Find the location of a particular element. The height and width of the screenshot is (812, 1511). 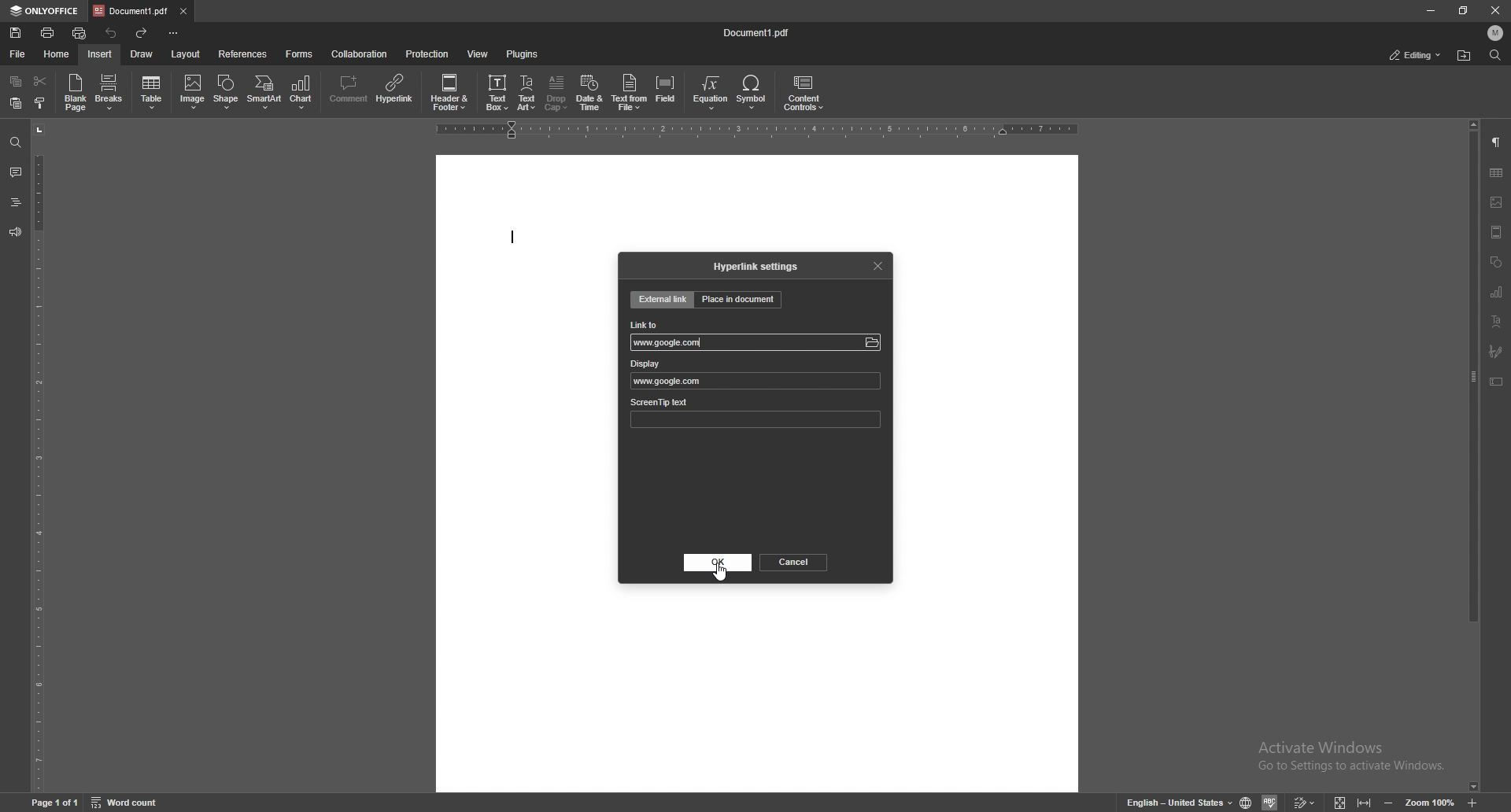

close is located at coordinates (1494, 10).